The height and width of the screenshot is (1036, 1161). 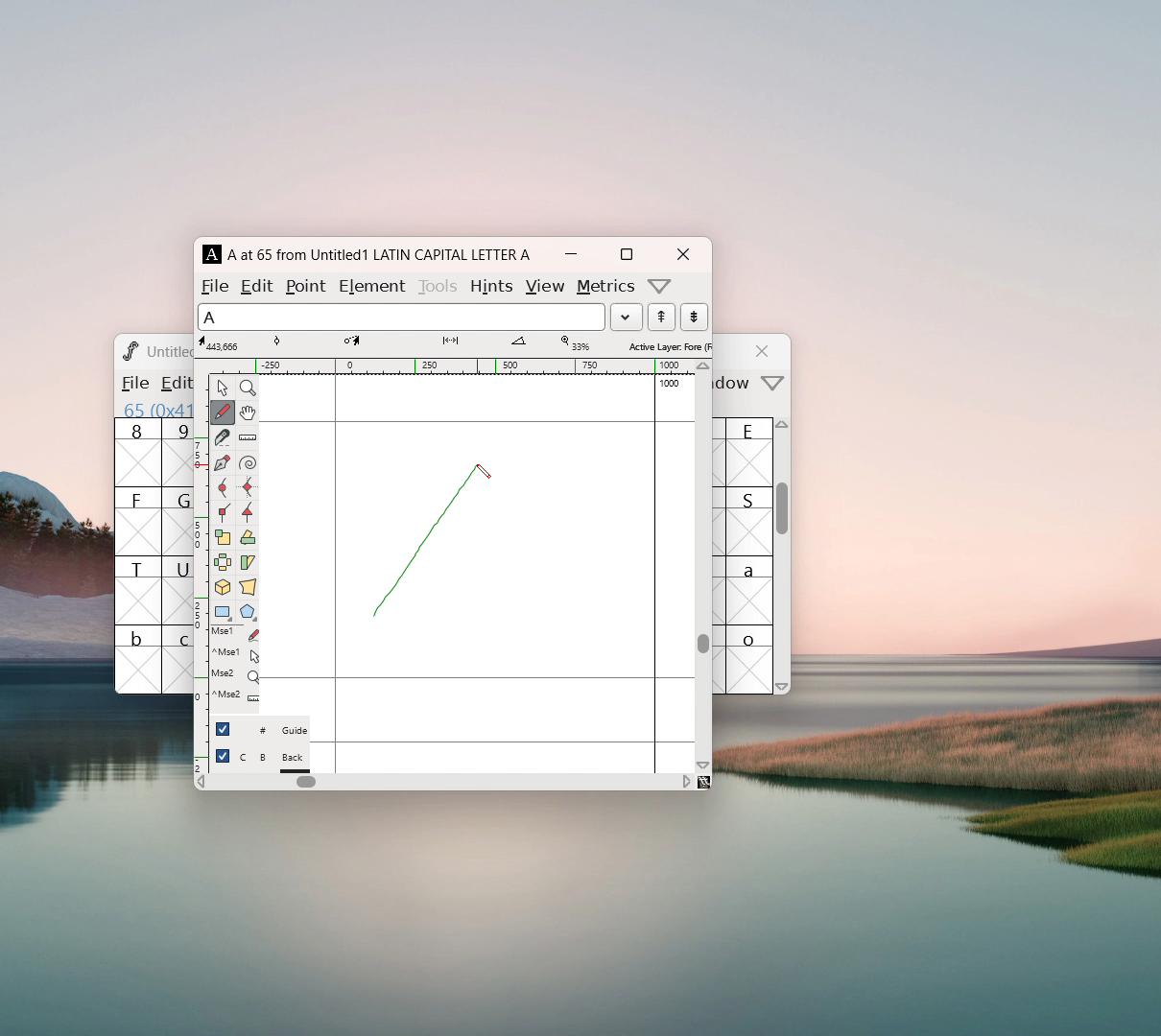 What do you see at coordinates (248, 413) in the screenshot?
I see `scroll by hand ` at bounding box center [248, 413].